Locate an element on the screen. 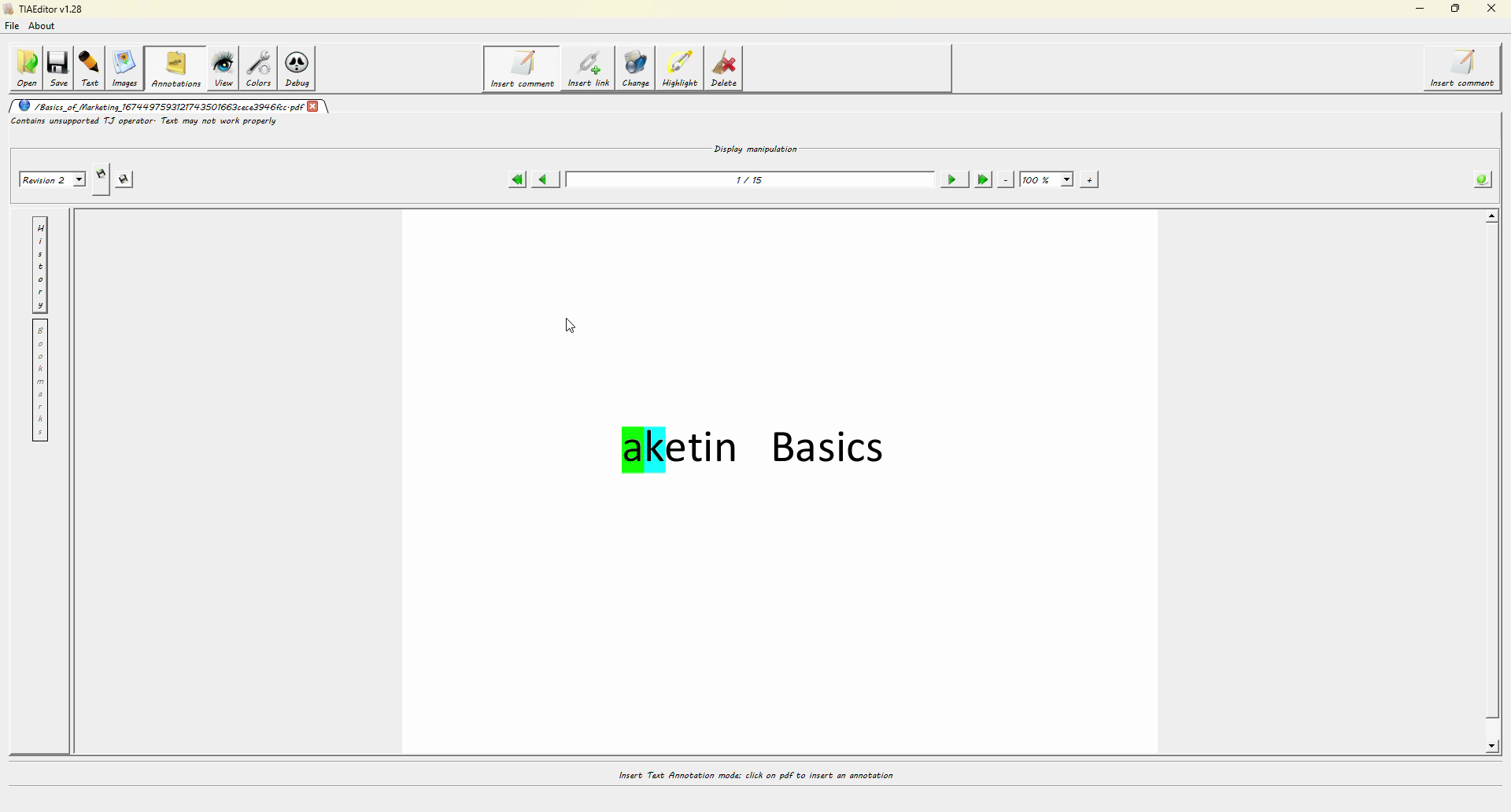  display manipulation is located at coordinates (756, 147).